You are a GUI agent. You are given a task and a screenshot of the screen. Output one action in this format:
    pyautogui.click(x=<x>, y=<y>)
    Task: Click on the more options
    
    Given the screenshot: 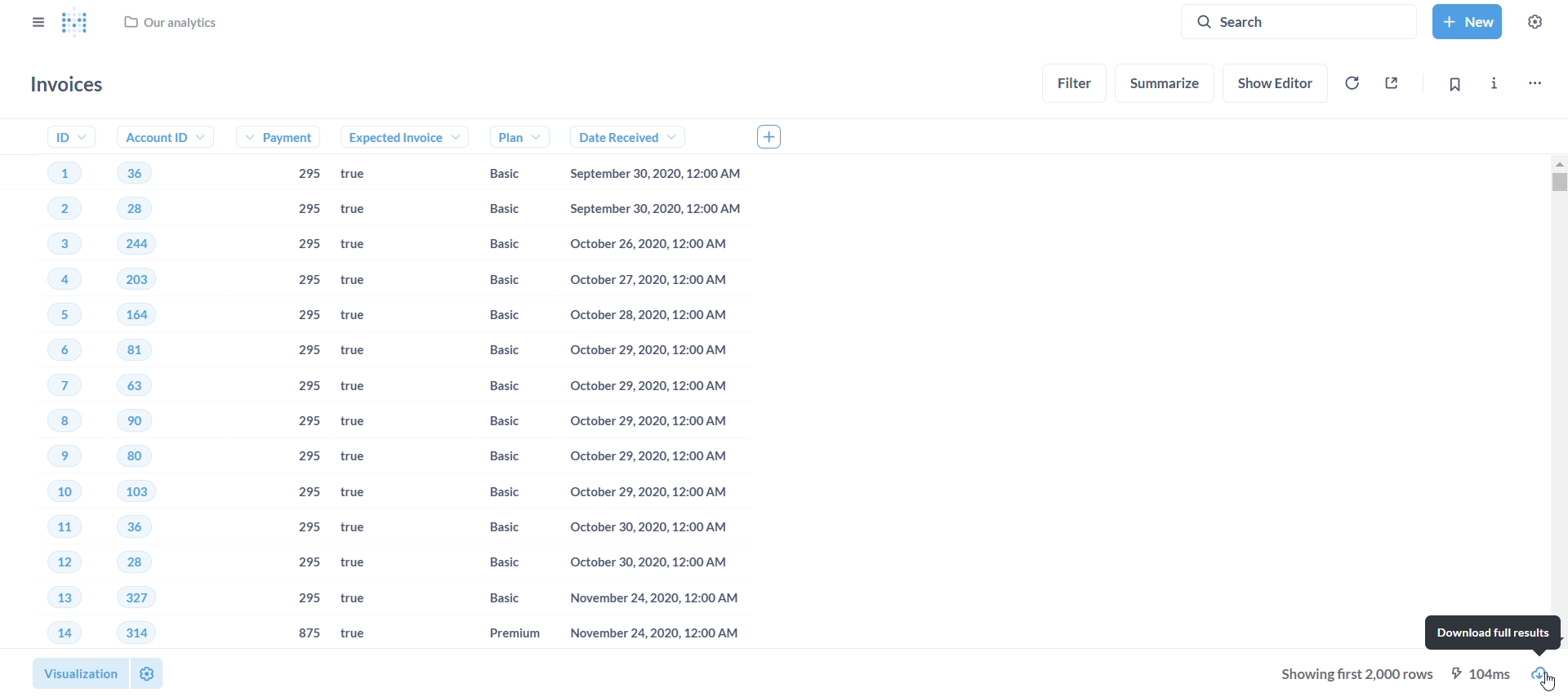 What is the action you would take?
    pyautogui.click(x=1534, y=81)
    